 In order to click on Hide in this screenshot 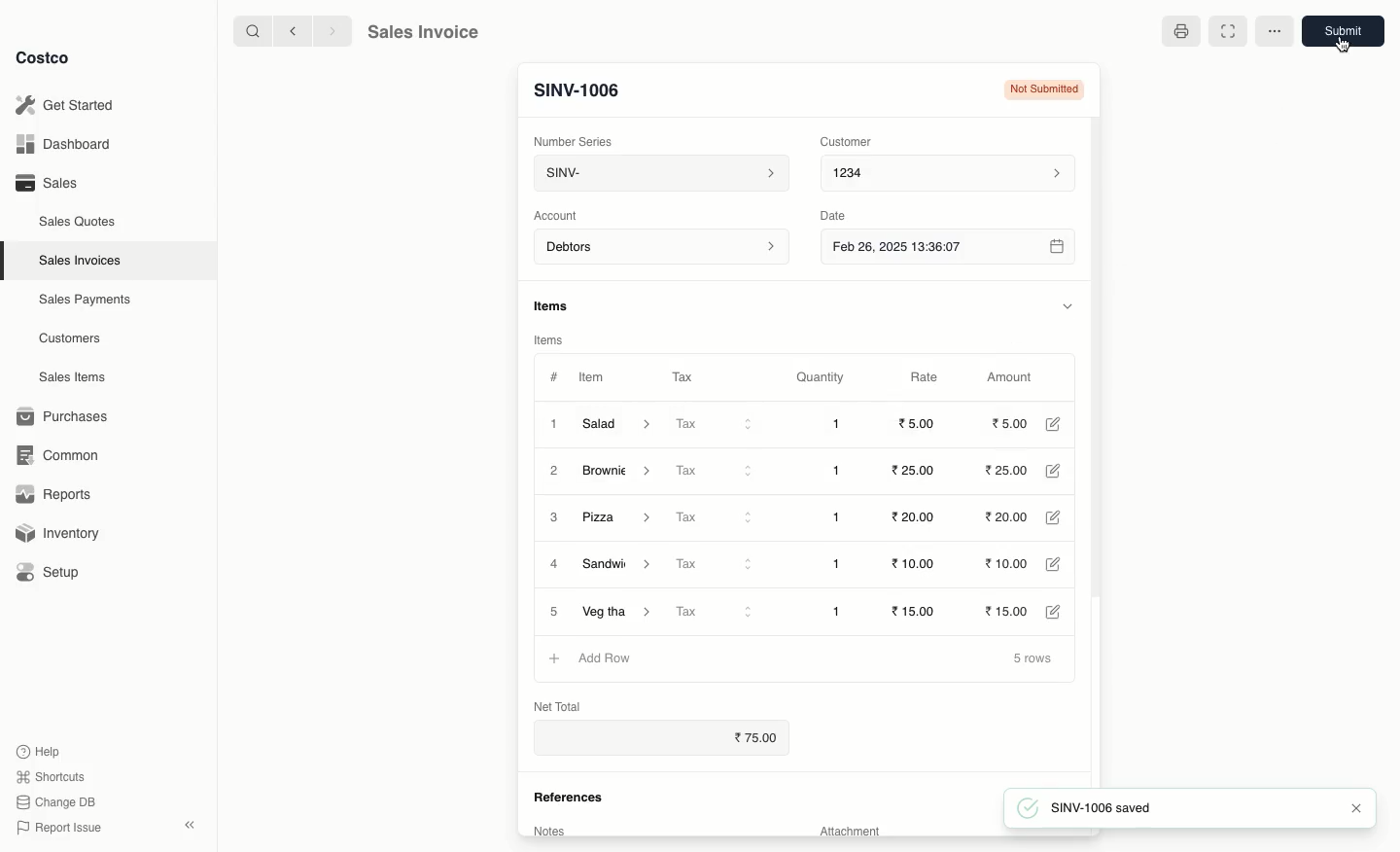, I will do `click(1067, 305)`.